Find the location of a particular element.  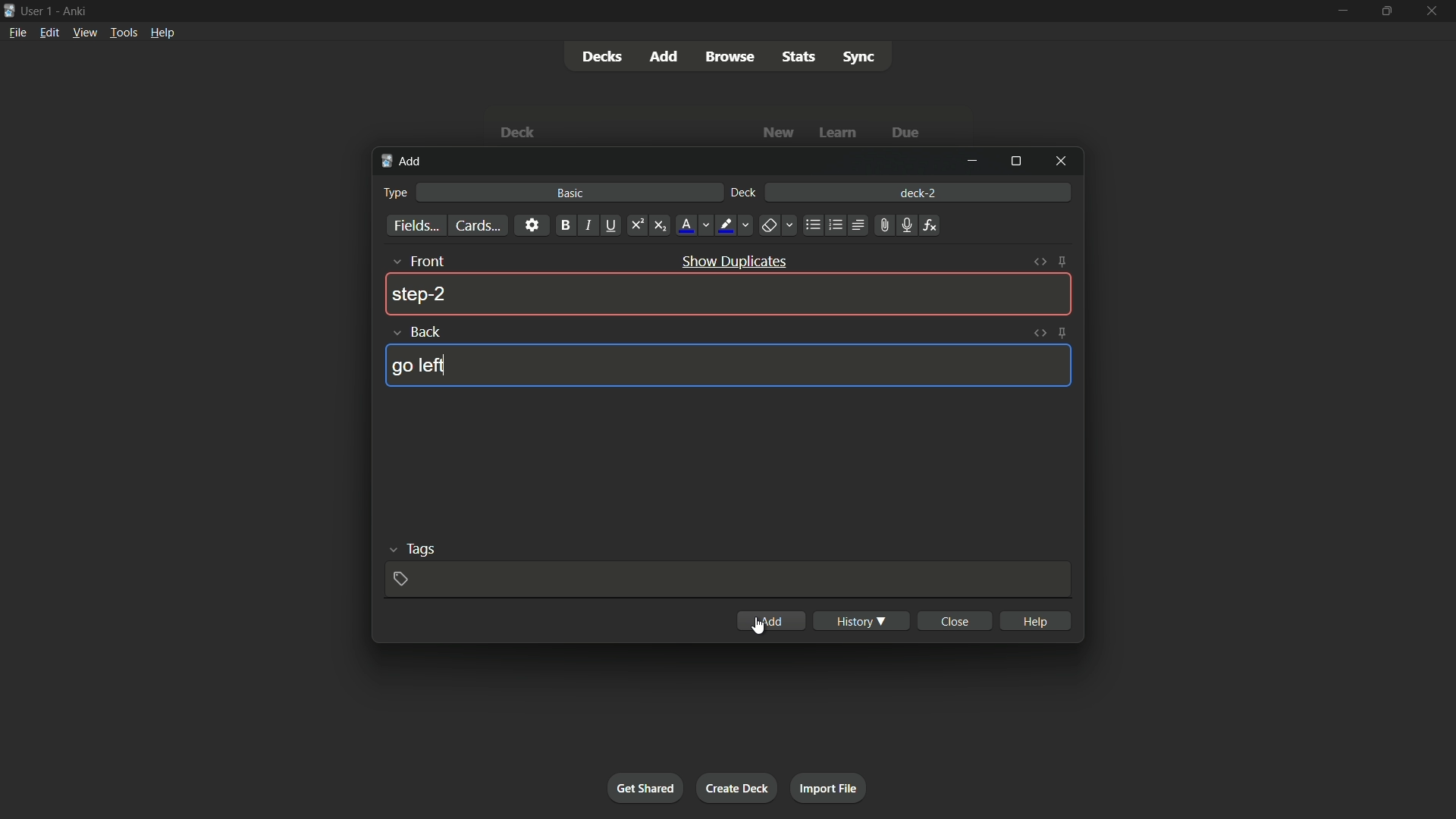

maximize is located at coordinates (1385, 11).